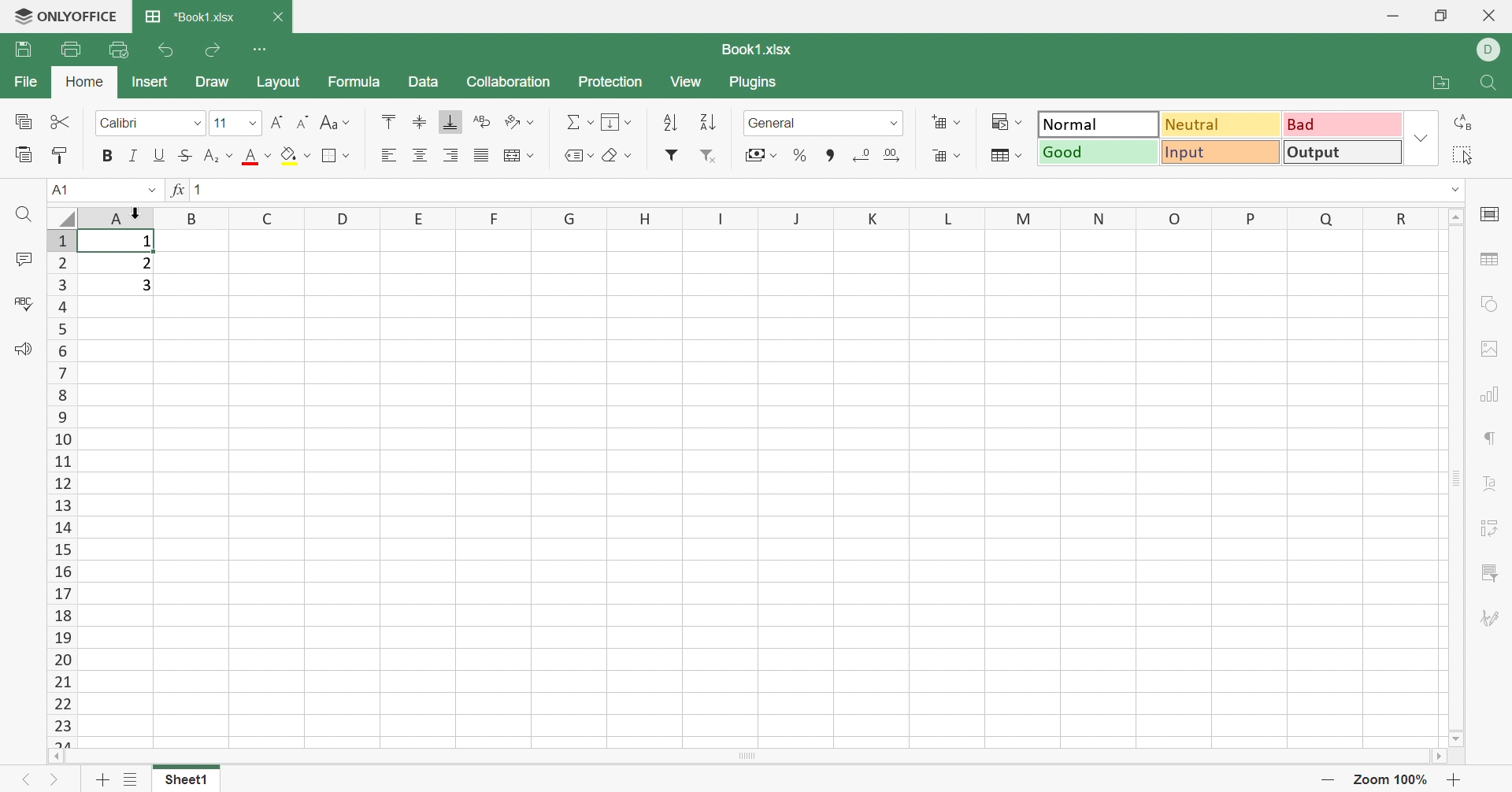  Describe the element at coordinates (102, 779) in the screenshot. I see `Add sheet` at that location.